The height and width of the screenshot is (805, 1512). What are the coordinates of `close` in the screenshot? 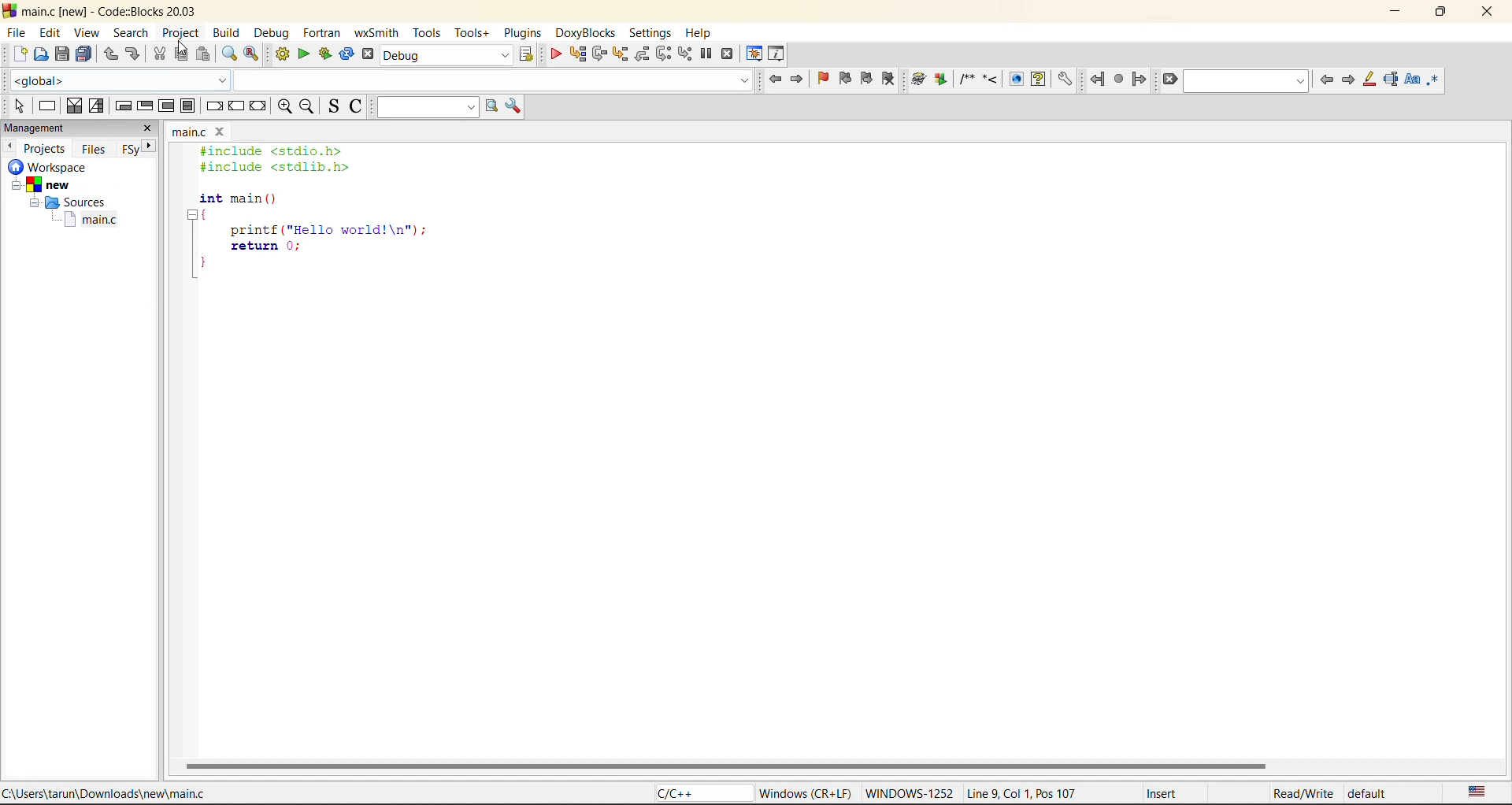 It's located at (150, 128).